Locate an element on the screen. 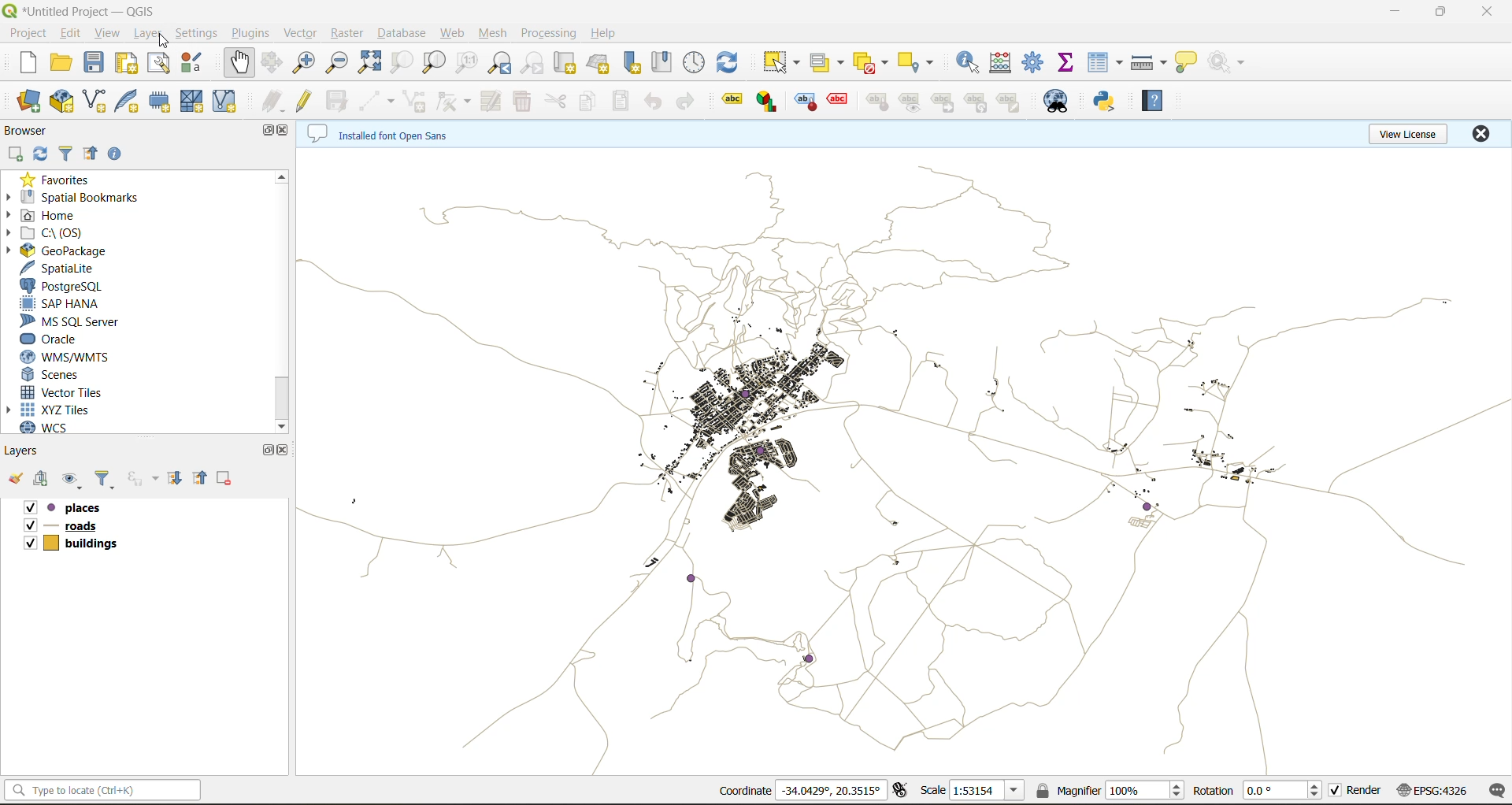  label tool 9 is located at coordinates (1011, 104).